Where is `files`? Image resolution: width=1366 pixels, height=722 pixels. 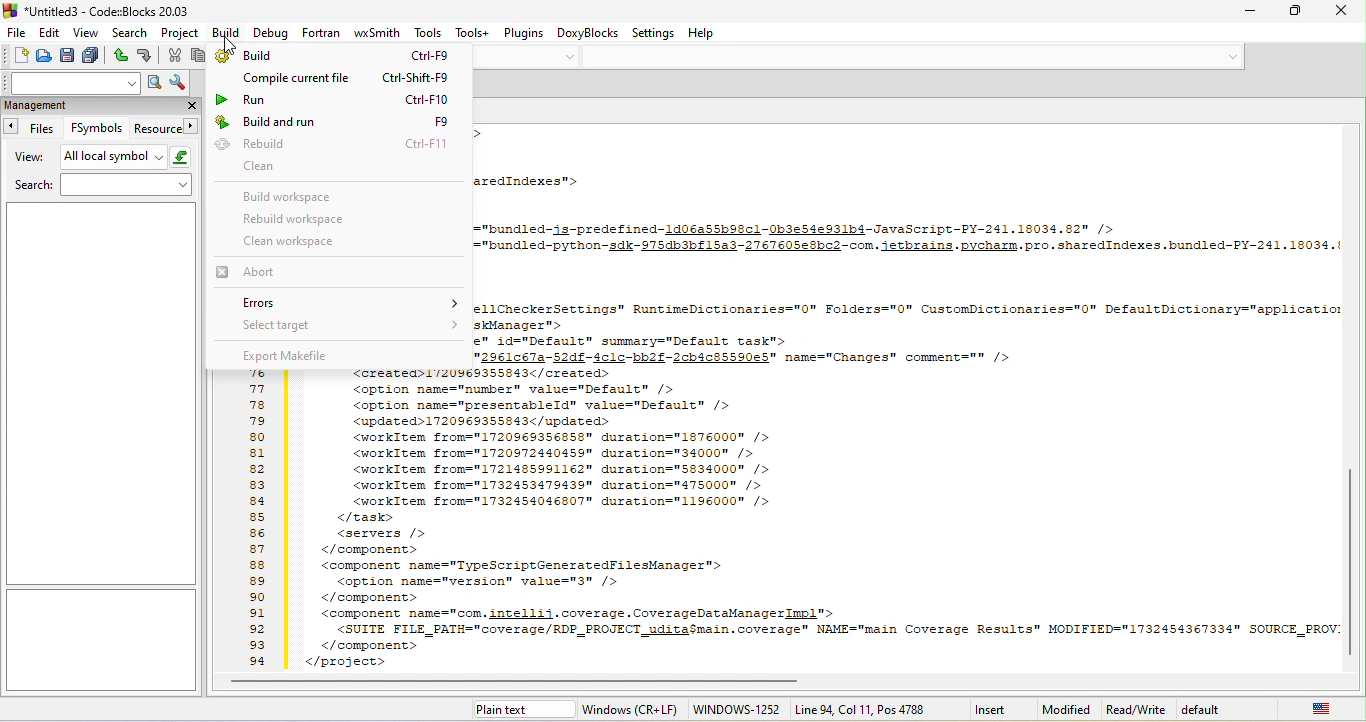
files is located at coordinates (35, 129).